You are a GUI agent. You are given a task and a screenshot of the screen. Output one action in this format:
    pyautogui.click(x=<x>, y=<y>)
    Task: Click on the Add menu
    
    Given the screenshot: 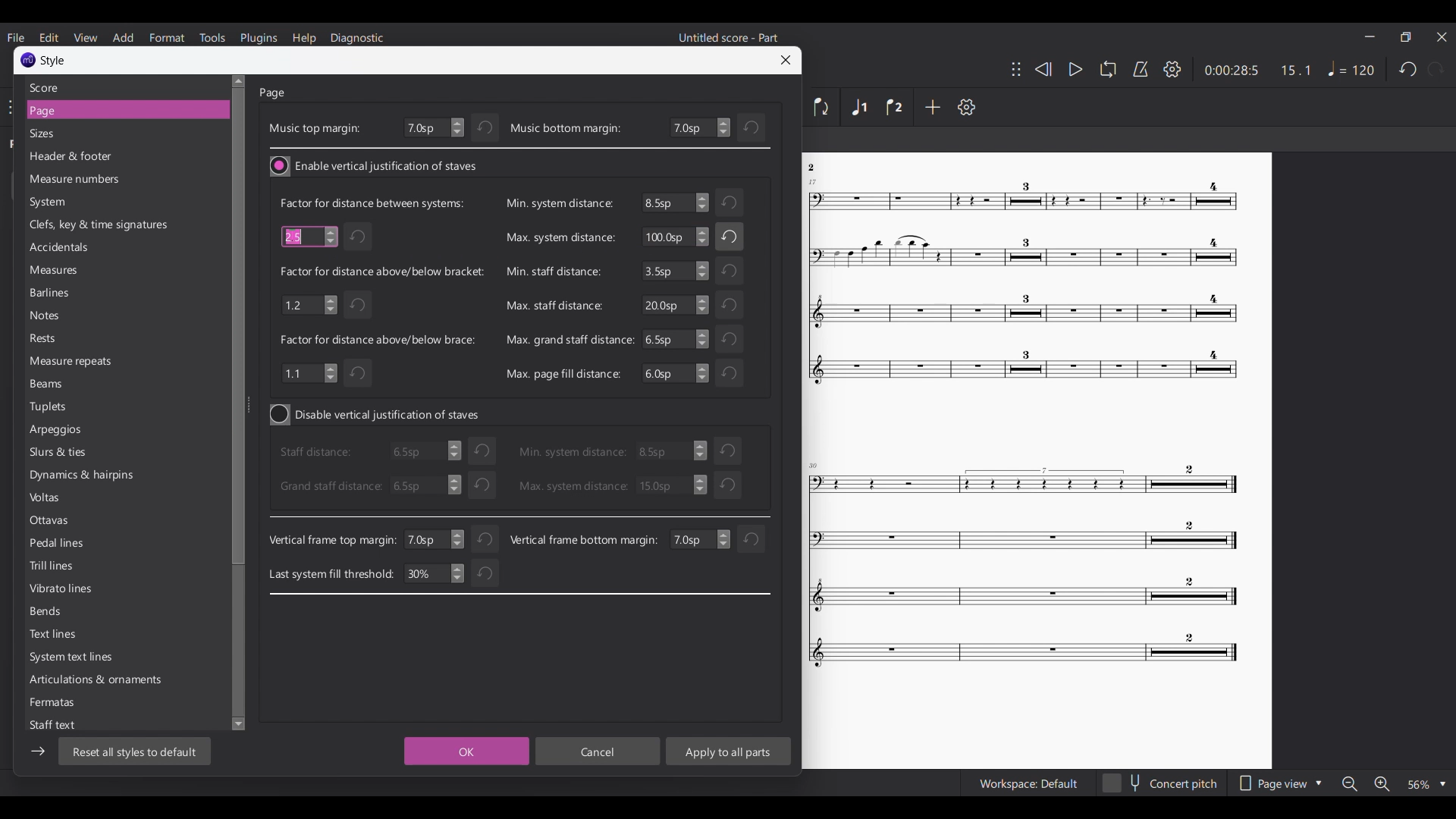 What is the action you would take?
    pyautogui.click(x=123, y=37)
    